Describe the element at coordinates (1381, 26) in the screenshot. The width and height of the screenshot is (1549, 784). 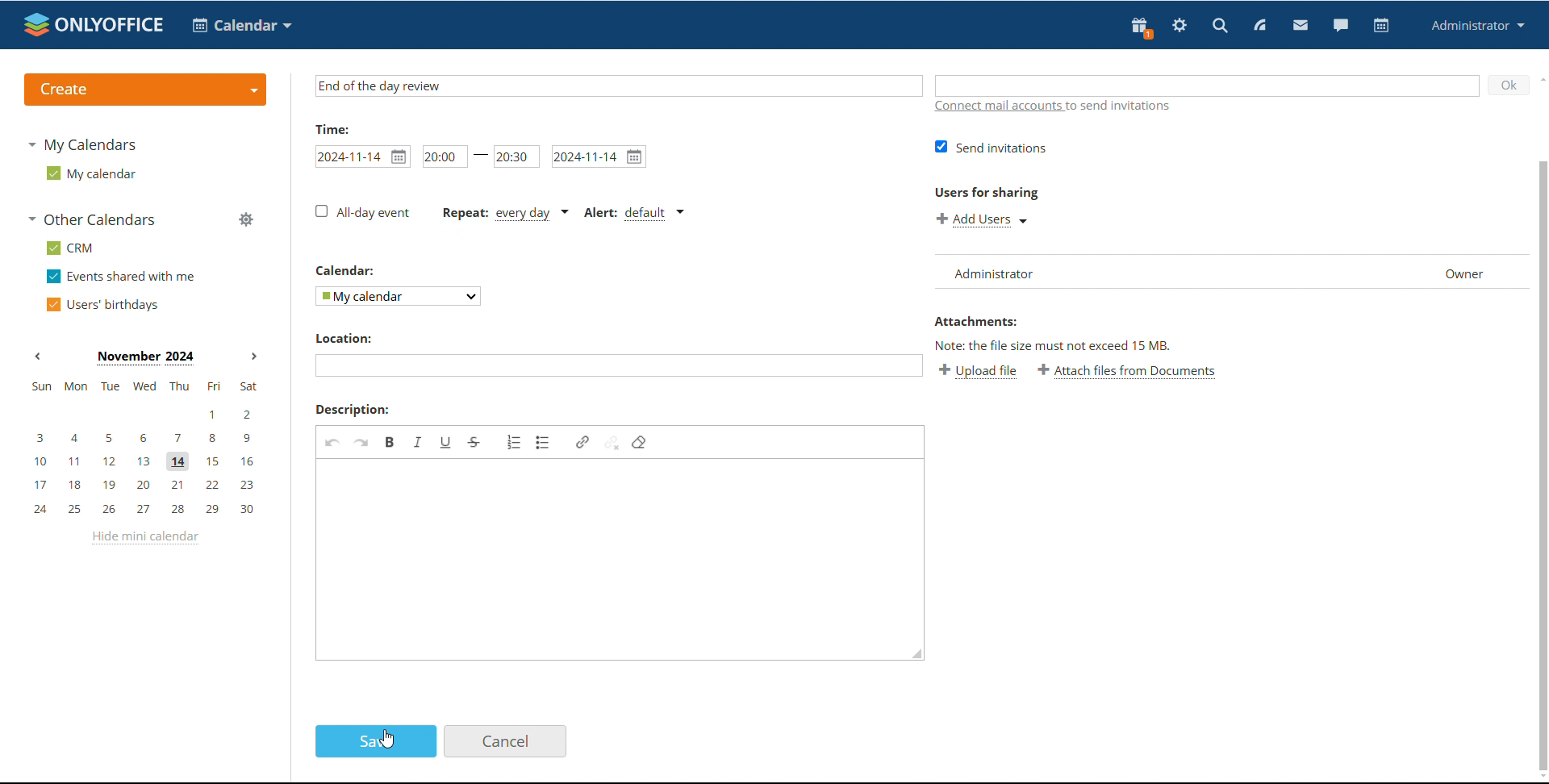
I see `calendar` at that location.